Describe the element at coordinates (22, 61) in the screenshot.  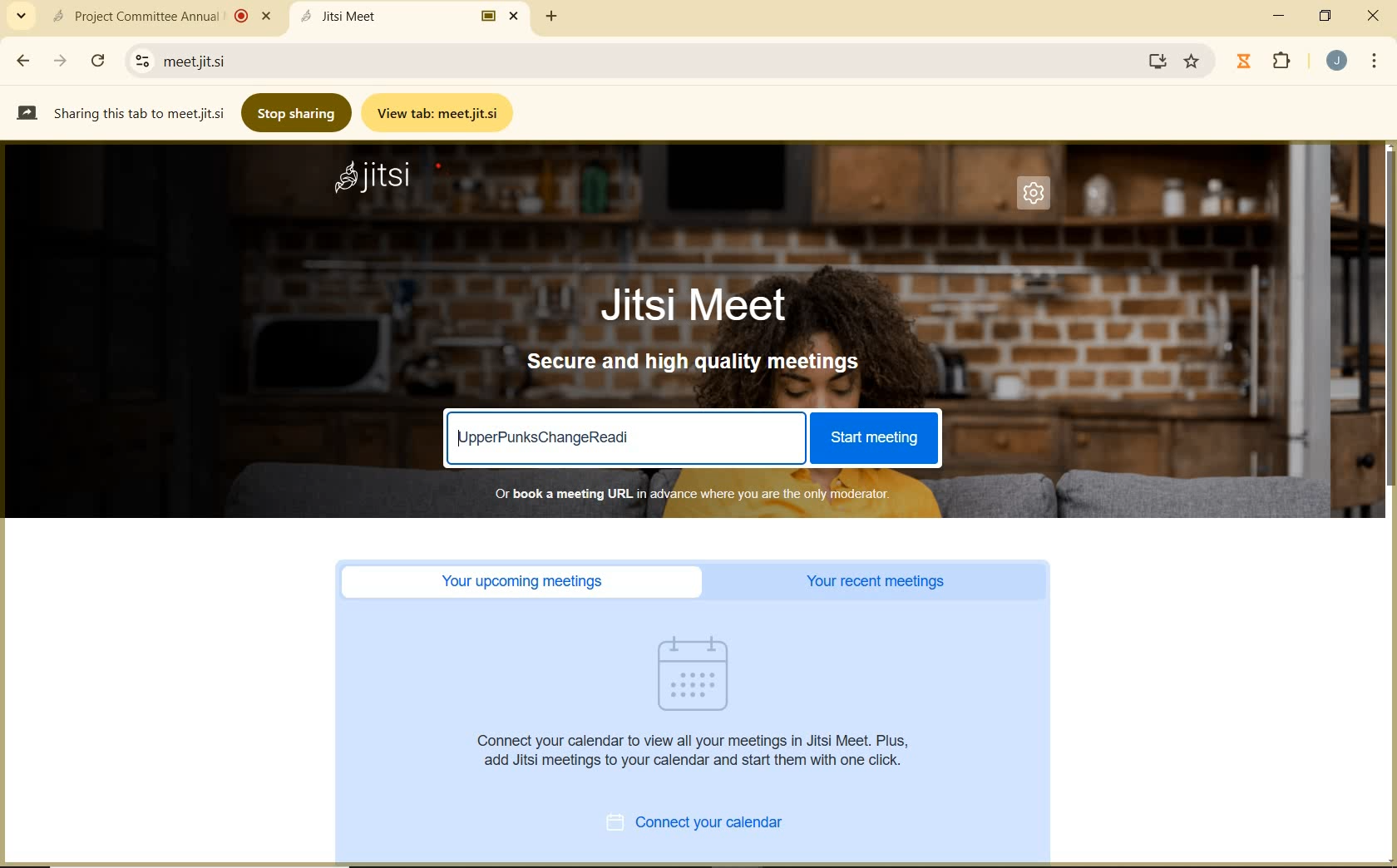
I see `BACK` at that location.